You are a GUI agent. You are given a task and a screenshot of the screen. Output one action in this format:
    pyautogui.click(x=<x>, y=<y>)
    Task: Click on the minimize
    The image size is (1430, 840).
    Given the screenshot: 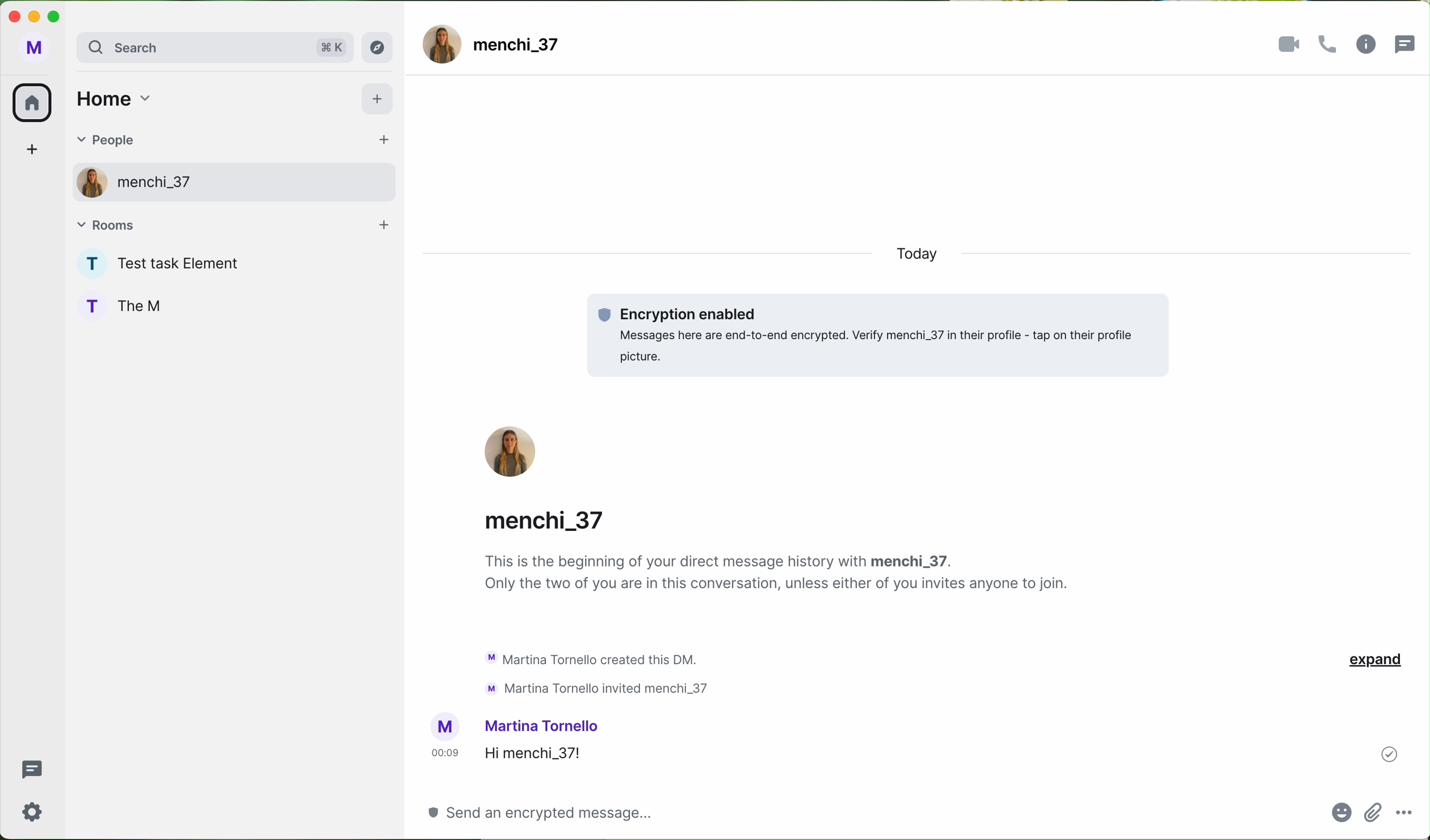 What is the action you would take?
    pyautogui.click(x=36, y=18)
    